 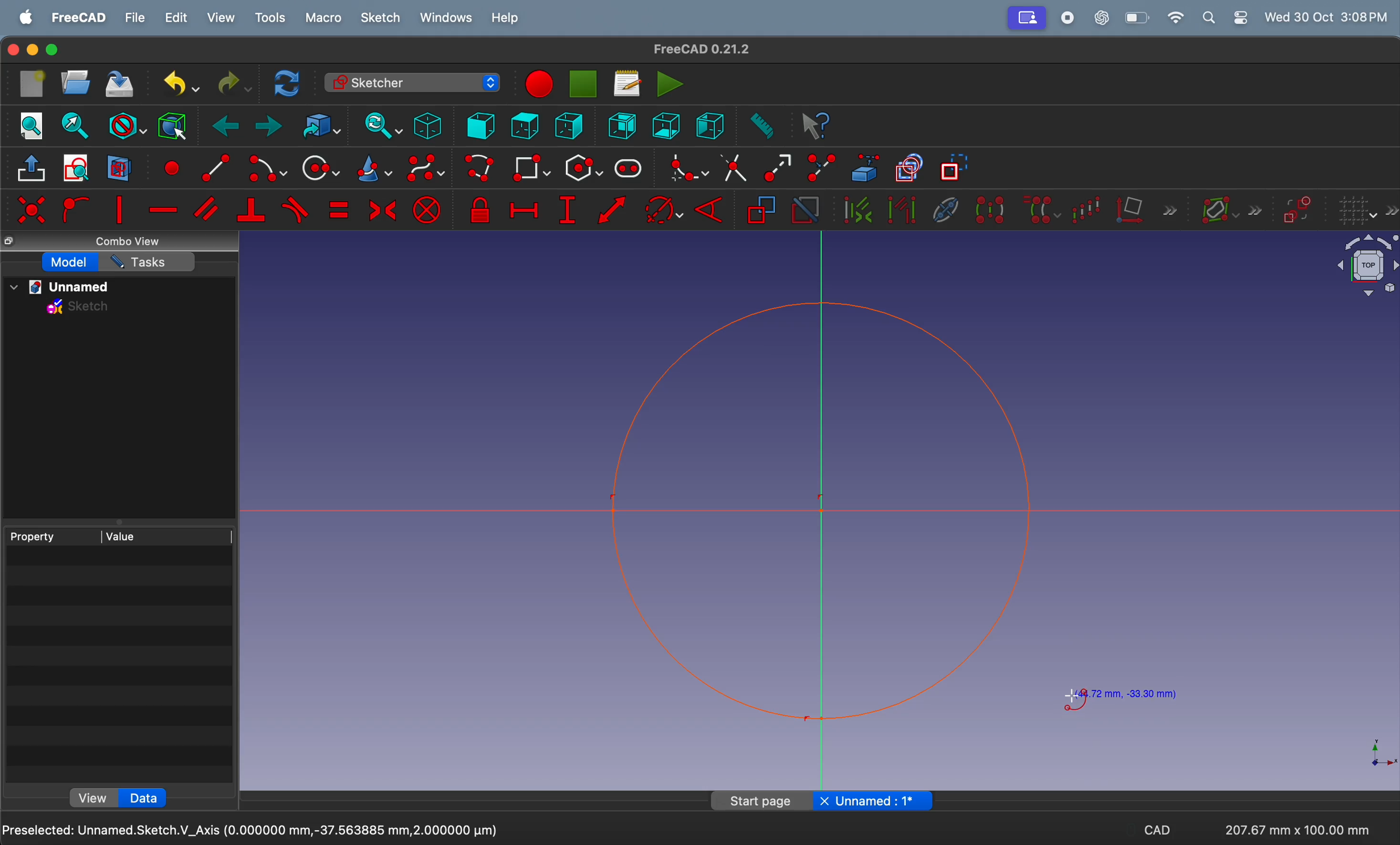 I want to click on create external geometry, so click(x=866, y=168).